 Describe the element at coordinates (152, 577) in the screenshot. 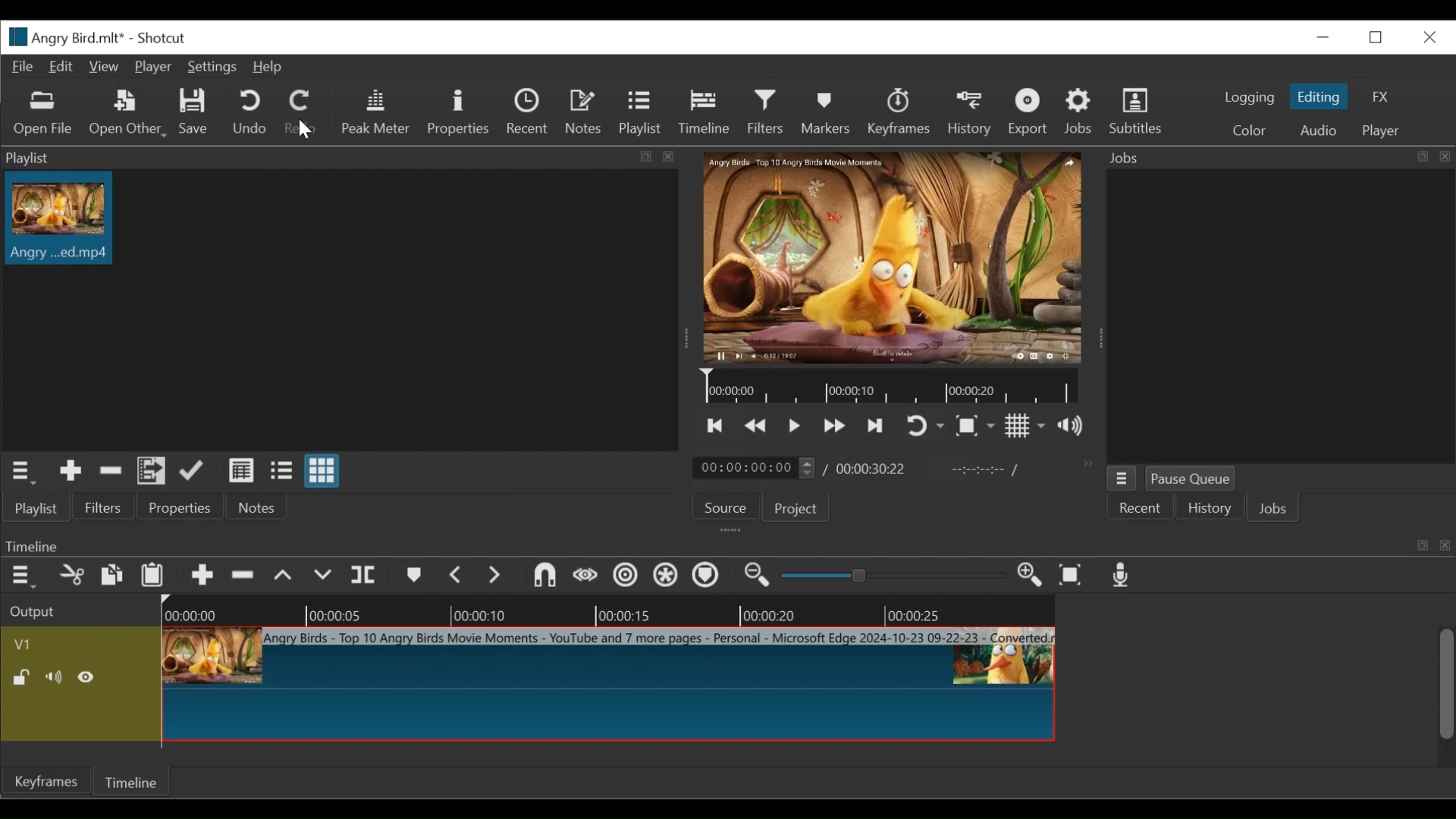

I see `Paste` at that location.